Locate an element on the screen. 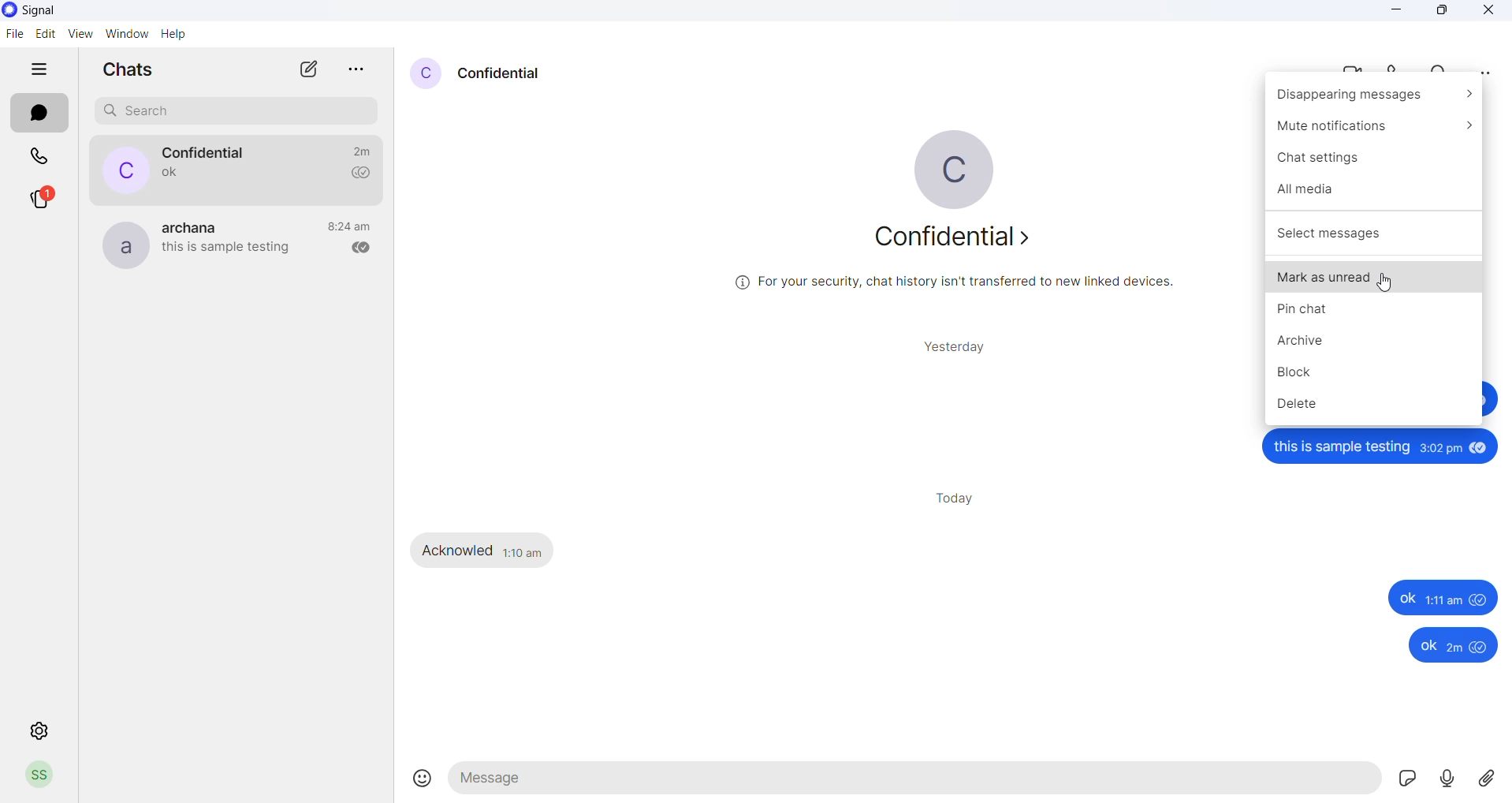 This screenshot has width=1512, height=803. video call is located at coordinates (1344, 67).